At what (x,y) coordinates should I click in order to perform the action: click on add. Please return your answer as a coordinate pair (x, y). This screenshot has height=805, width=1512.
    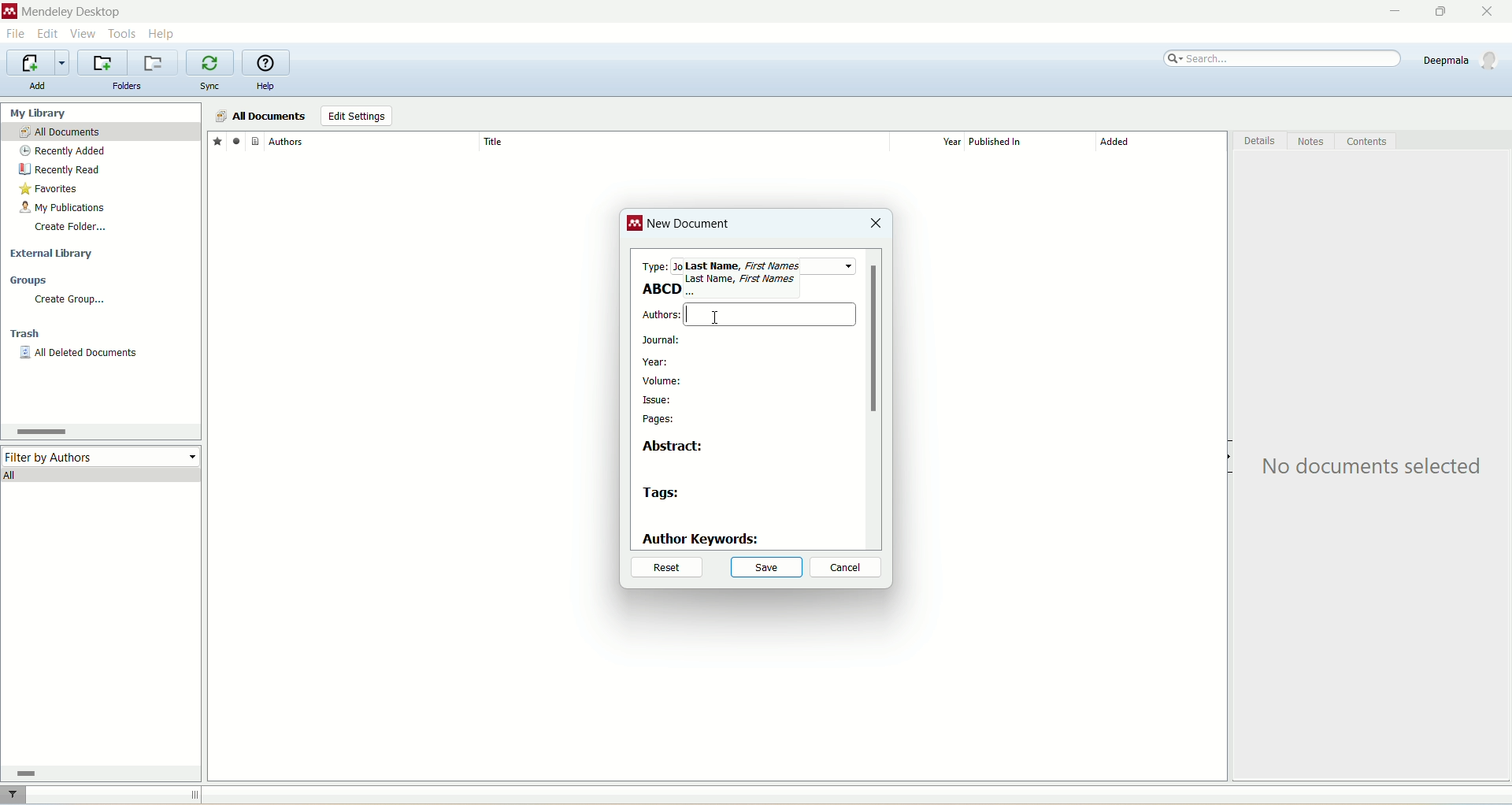
    Looking at the image, I should click on (37, 86).